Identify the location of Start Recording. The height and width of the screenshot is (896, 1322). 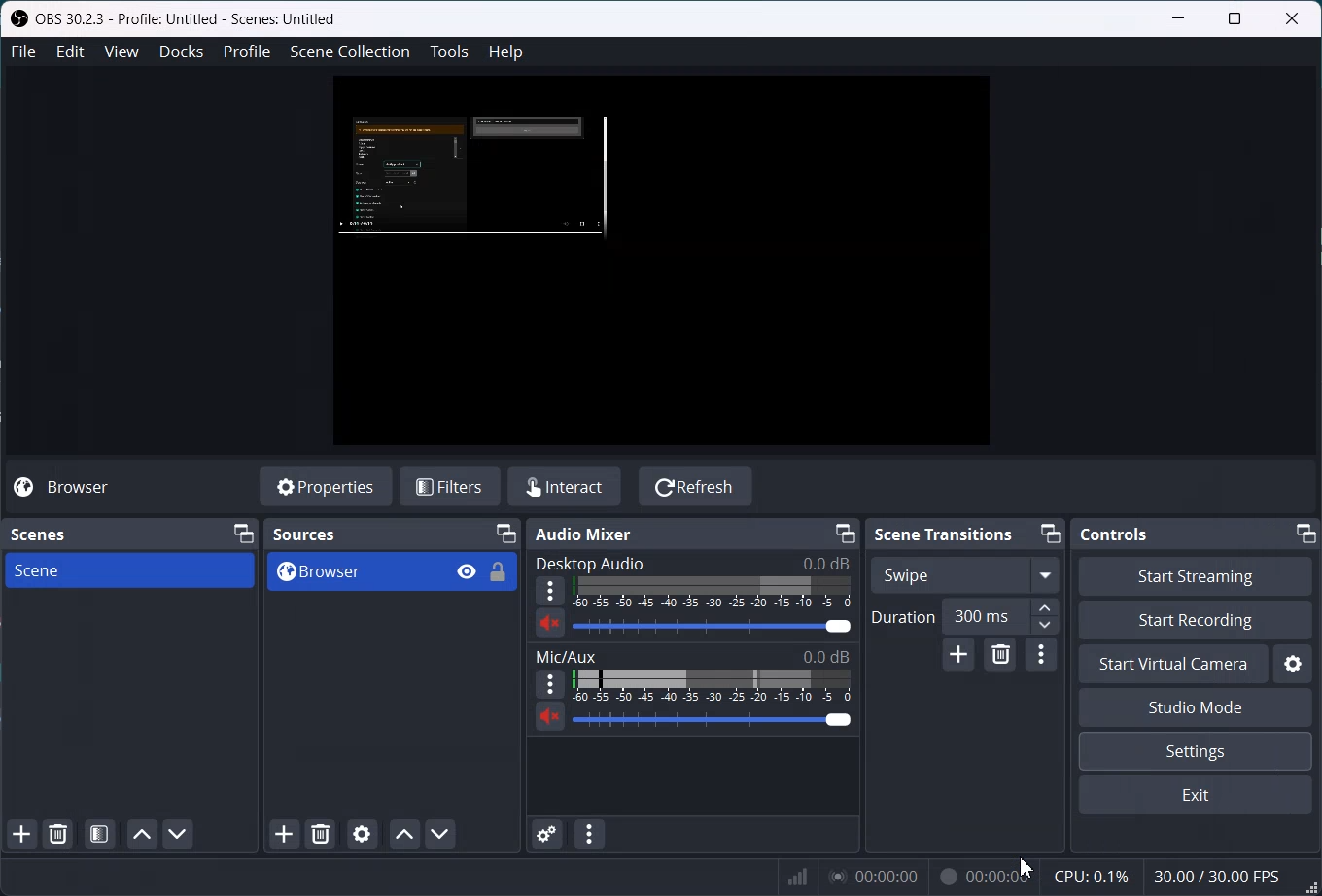
(1196, 620).